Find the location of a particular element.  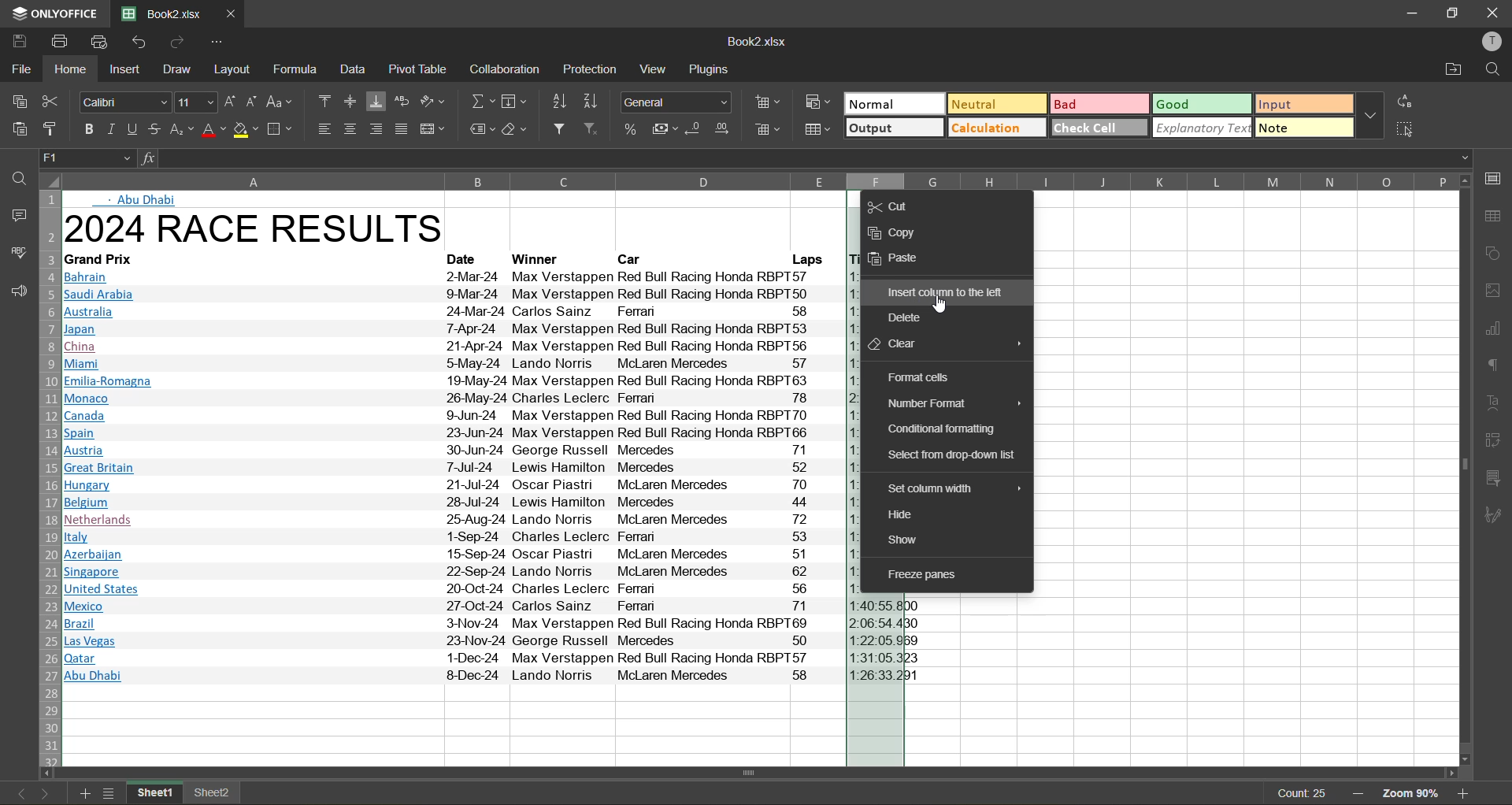

sheet2  is located at coordinates (216, 796).